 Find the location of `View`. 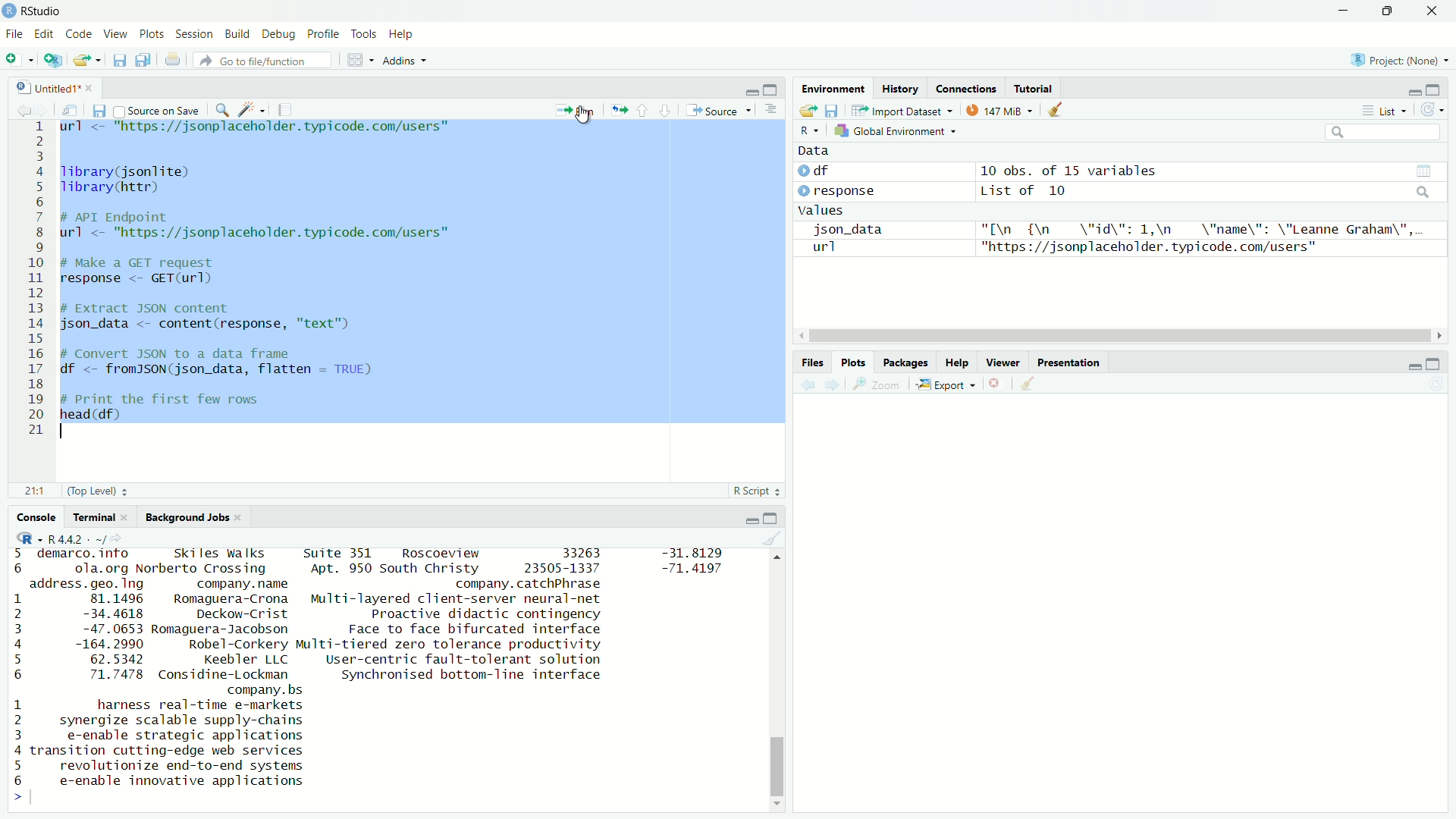

View is located at coordinates (115, 35).